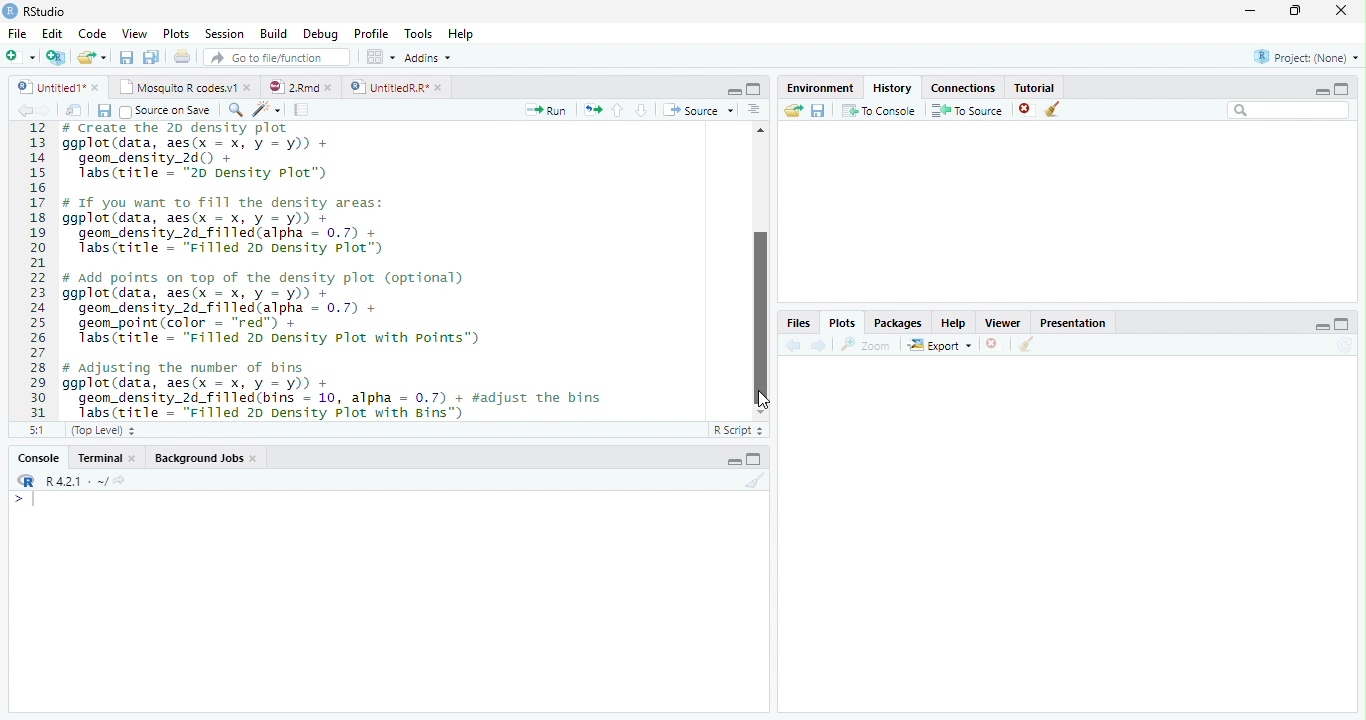  Describe the element at coordinates (1053, 110) in the screenshot. I see `clear` at that location.